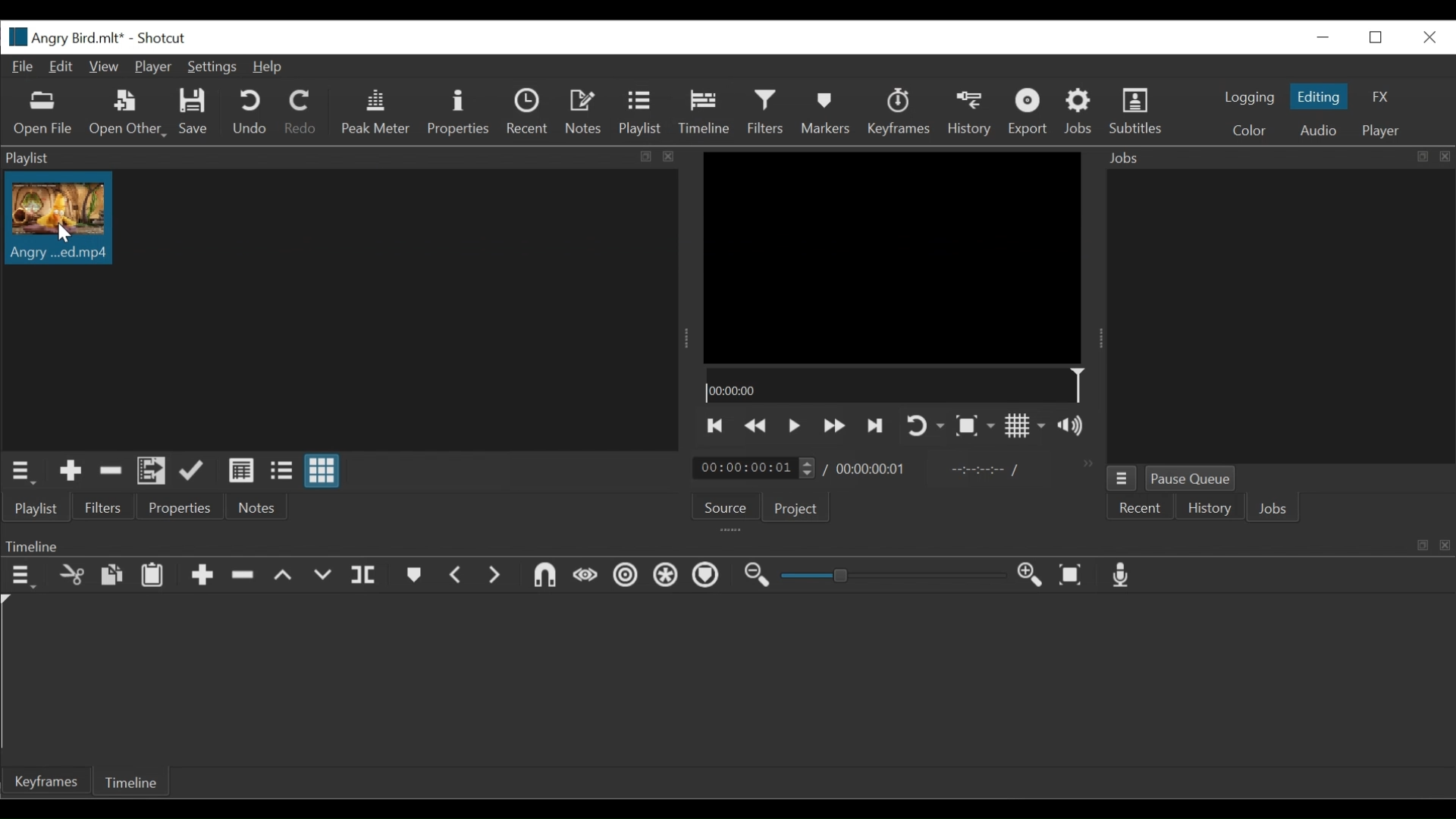  What do you see at coordinates (286, 575) in the screenshot?
I see `Lift` at bounding box center [286, 575].